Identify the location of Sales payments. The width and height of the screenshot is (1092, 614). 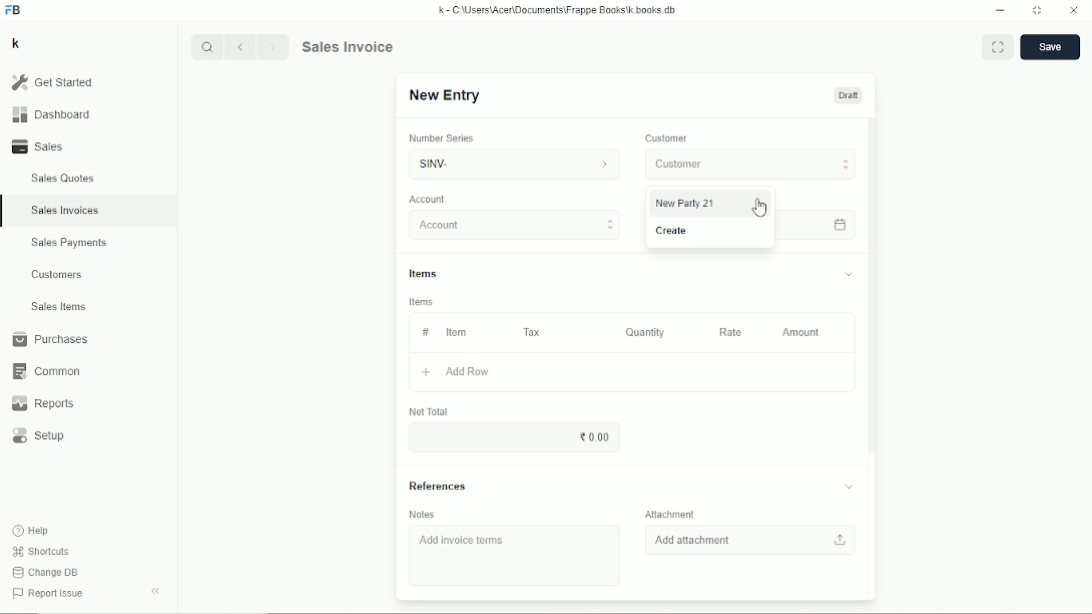
(72, 243).